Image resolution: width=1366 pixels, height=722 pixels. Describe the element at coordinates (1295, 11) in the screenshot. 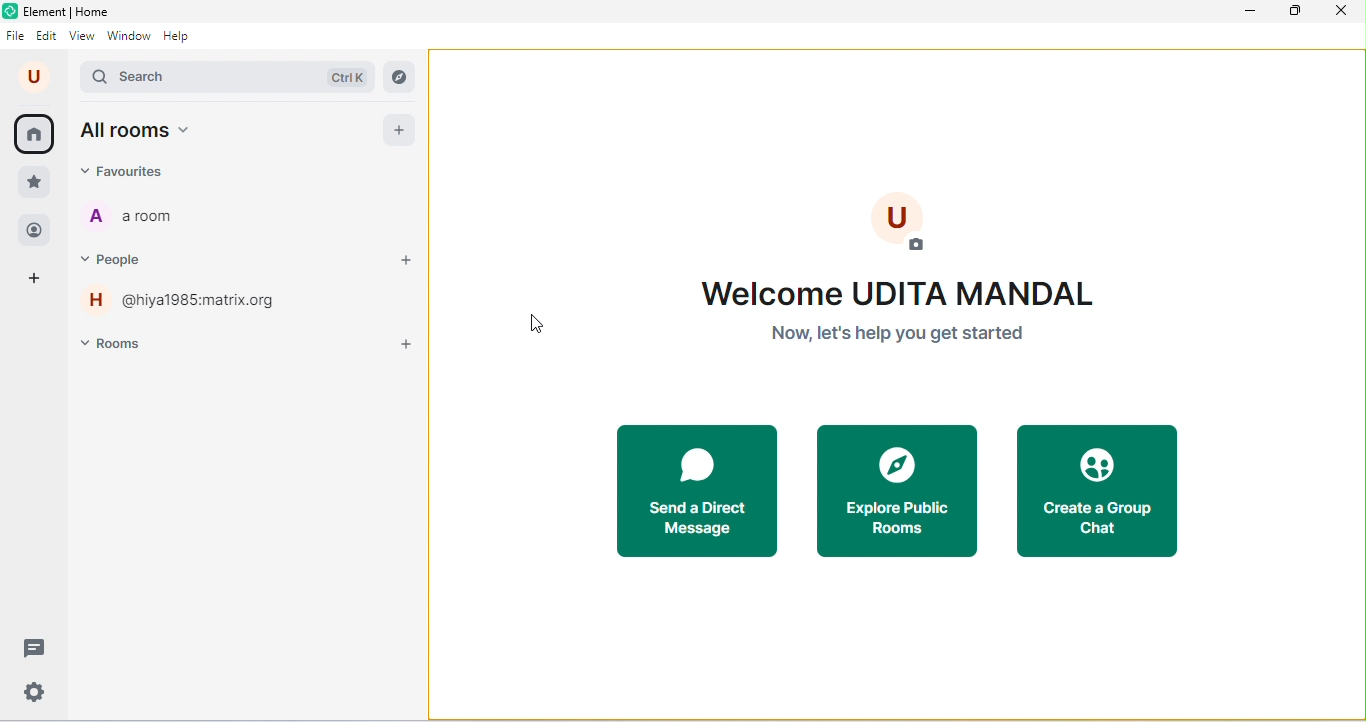

I see `maximize` at that location.